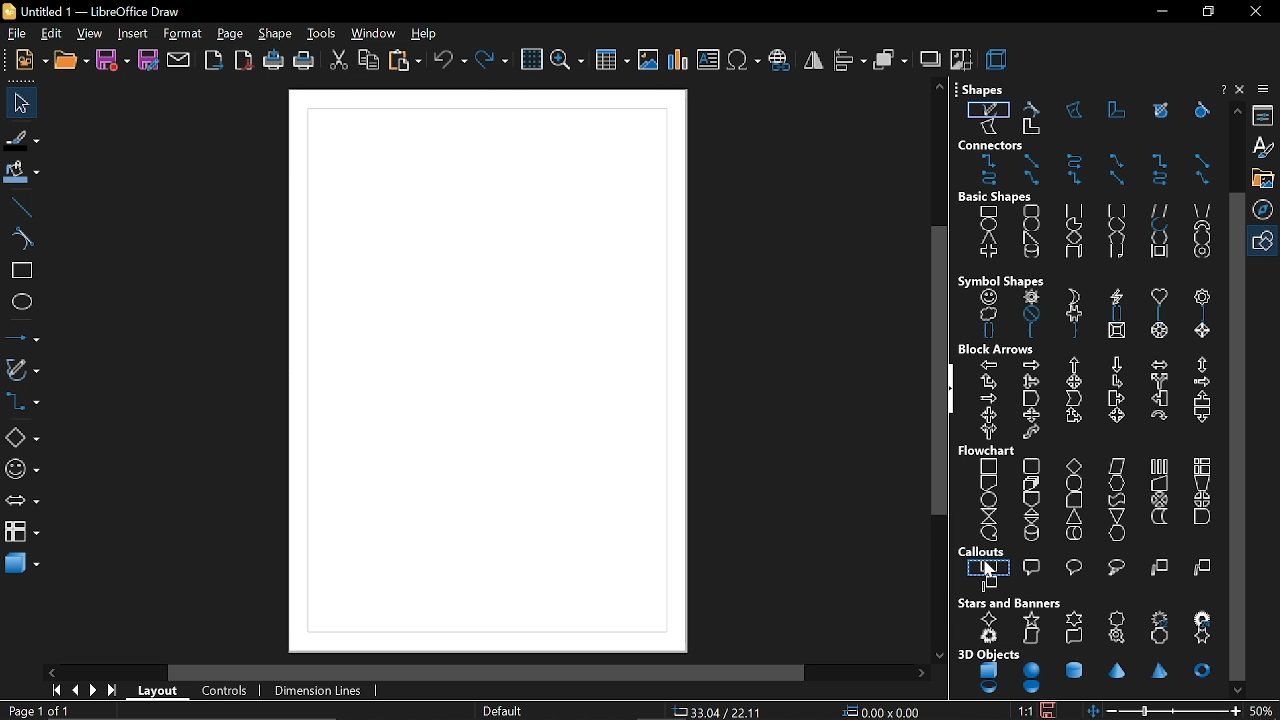  I want to click on cone, so click(1119, 670).